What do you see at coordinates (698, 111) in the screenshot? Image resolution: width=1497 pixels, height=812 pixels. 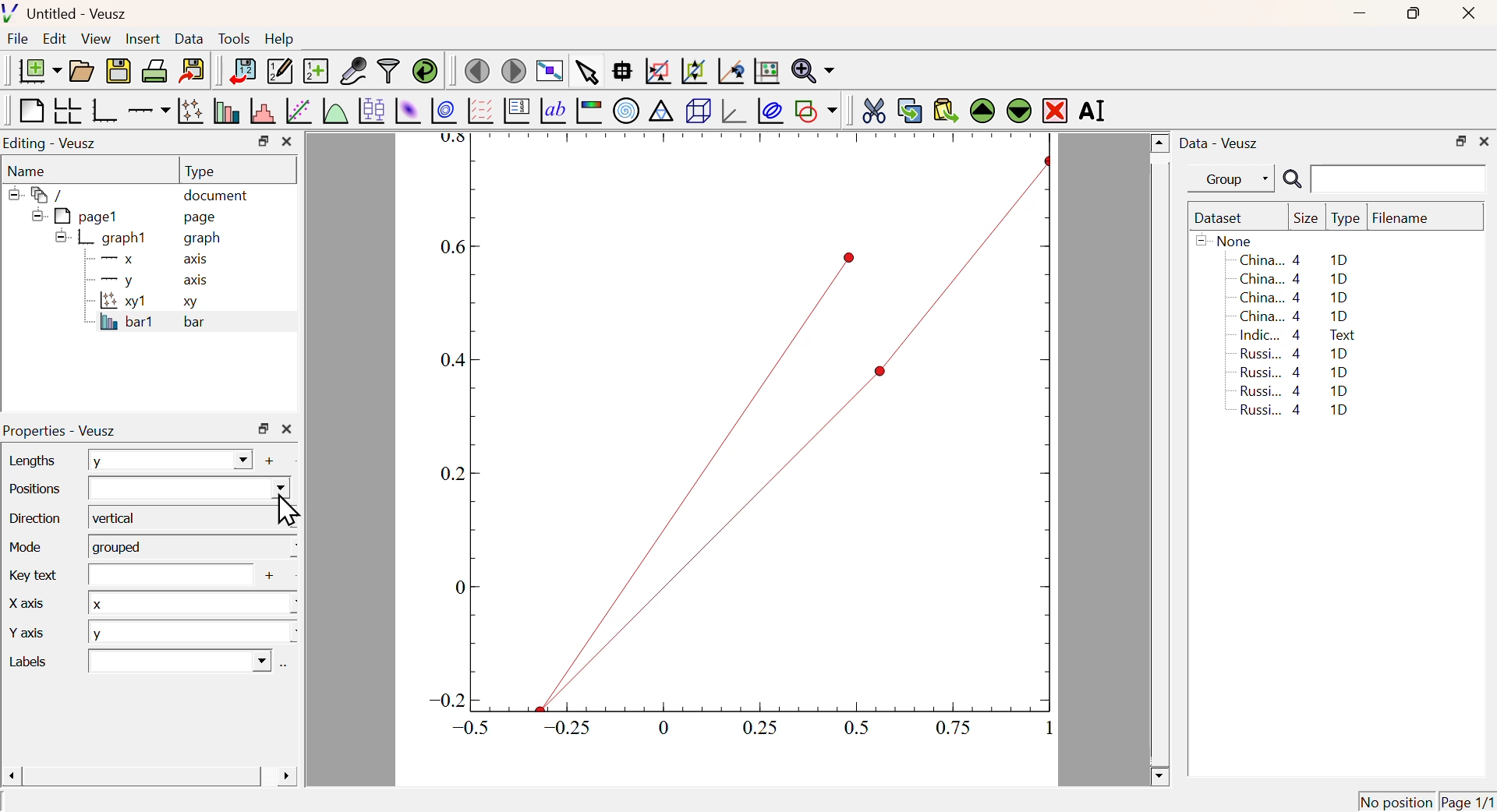 I see `3D Scene` at bounding box center [698, 111].